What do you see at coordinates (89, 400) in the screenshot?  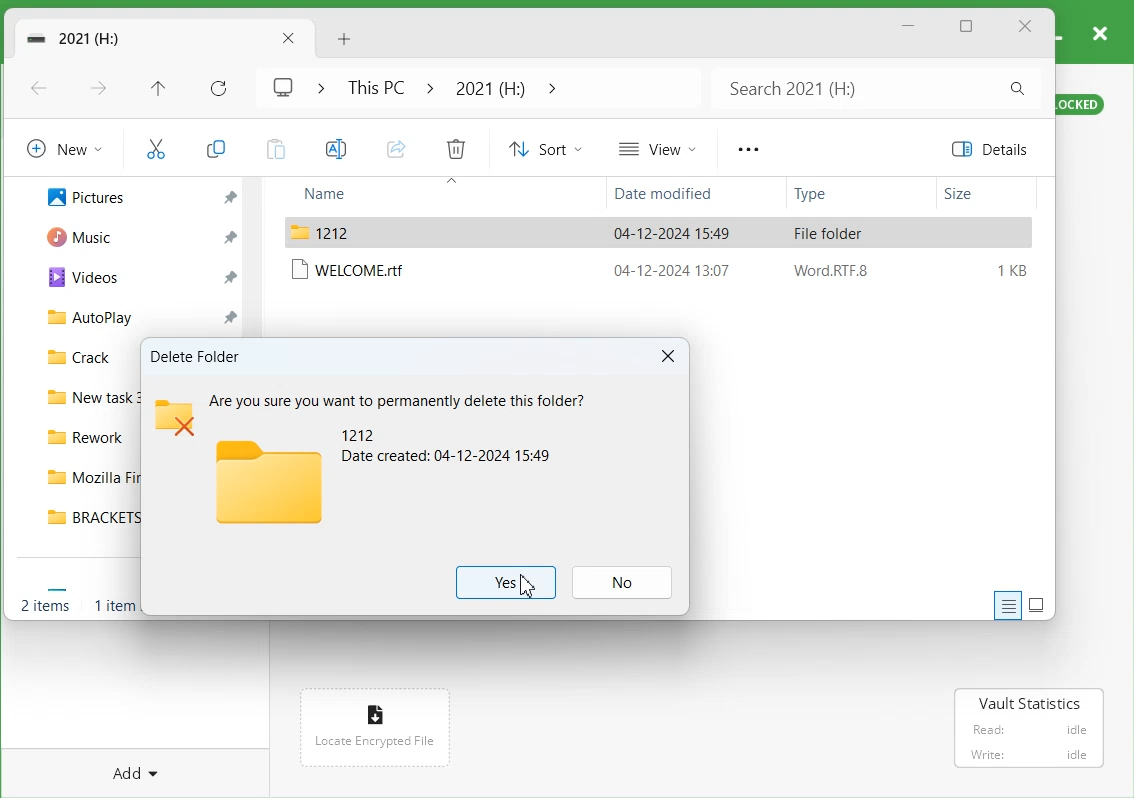 I see `New task` at bounding box center [89, 400].